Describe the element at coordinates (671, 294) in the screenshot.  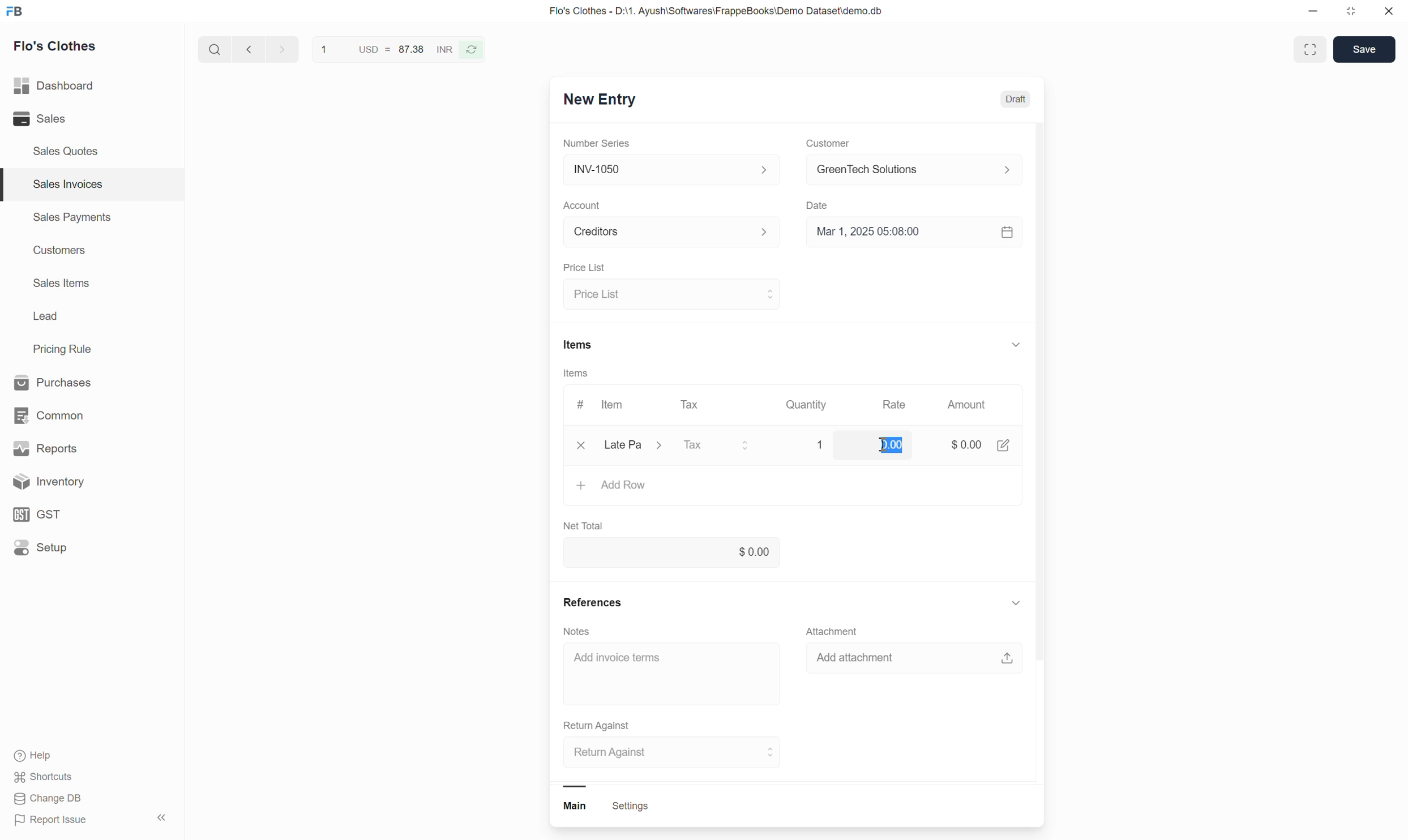
I see `select price list ` at that location.